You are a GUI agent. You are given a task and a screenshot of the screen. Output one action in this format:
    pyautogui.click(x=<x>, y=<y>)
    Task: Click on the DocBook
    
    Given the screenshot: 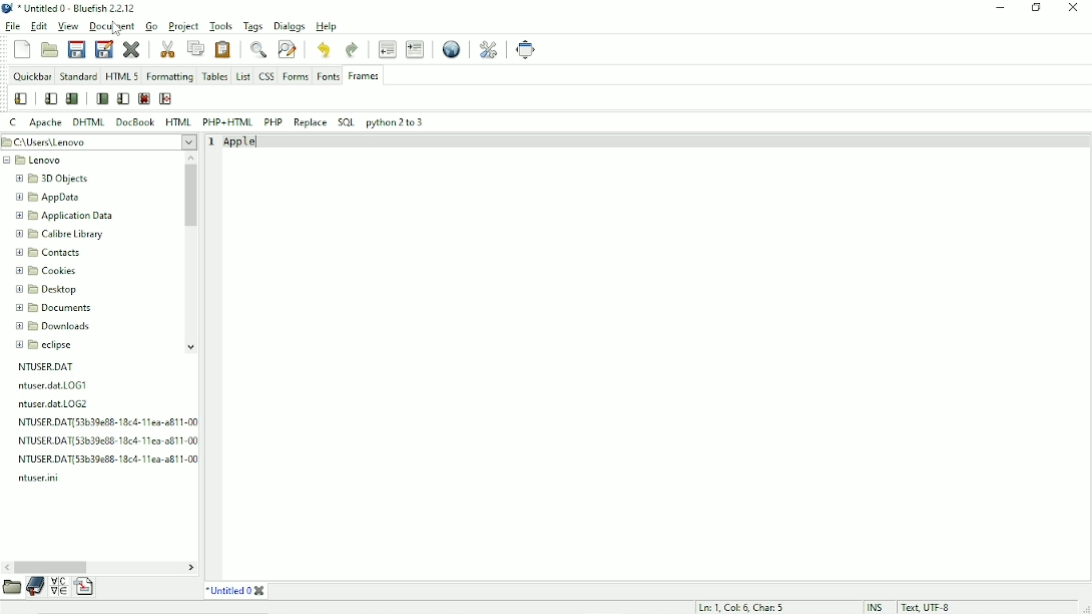 What is the action you would take?
    pyautogui.click(x=136, y=122)
    